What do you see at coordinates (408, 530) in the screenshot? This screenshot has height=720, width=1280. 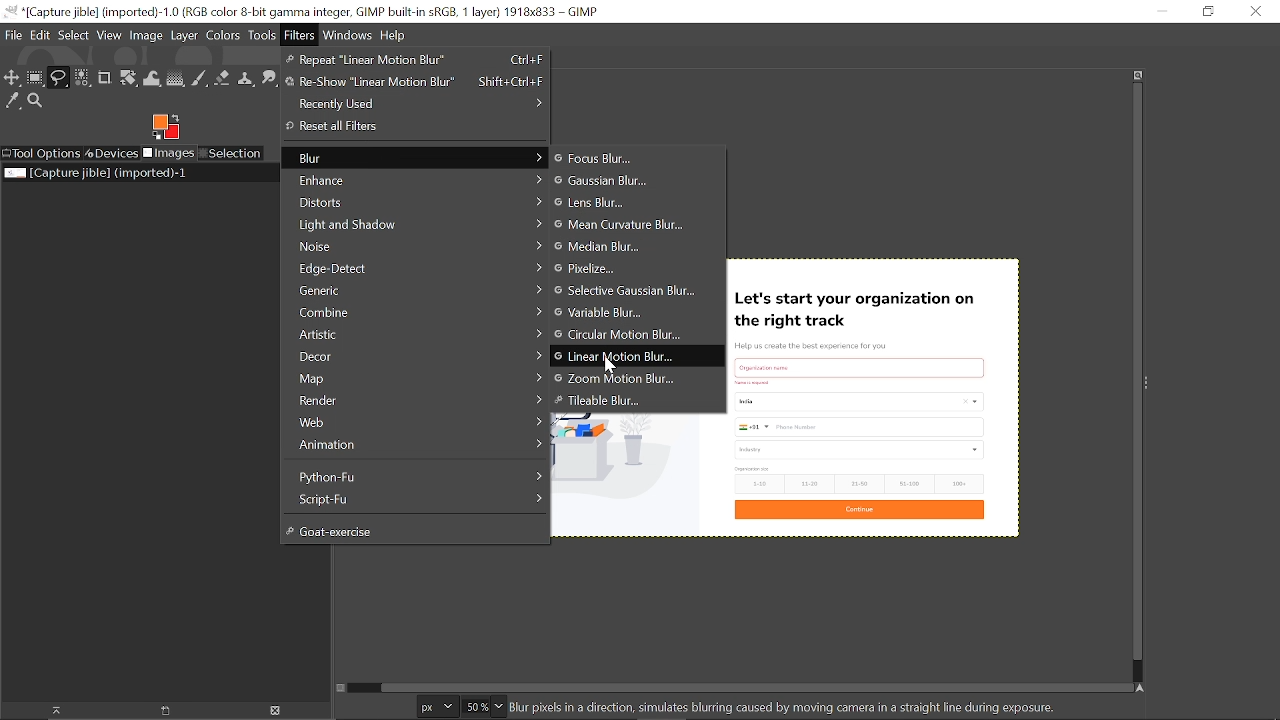 I see `Goat-exercise` at bounding box center [408, 530].